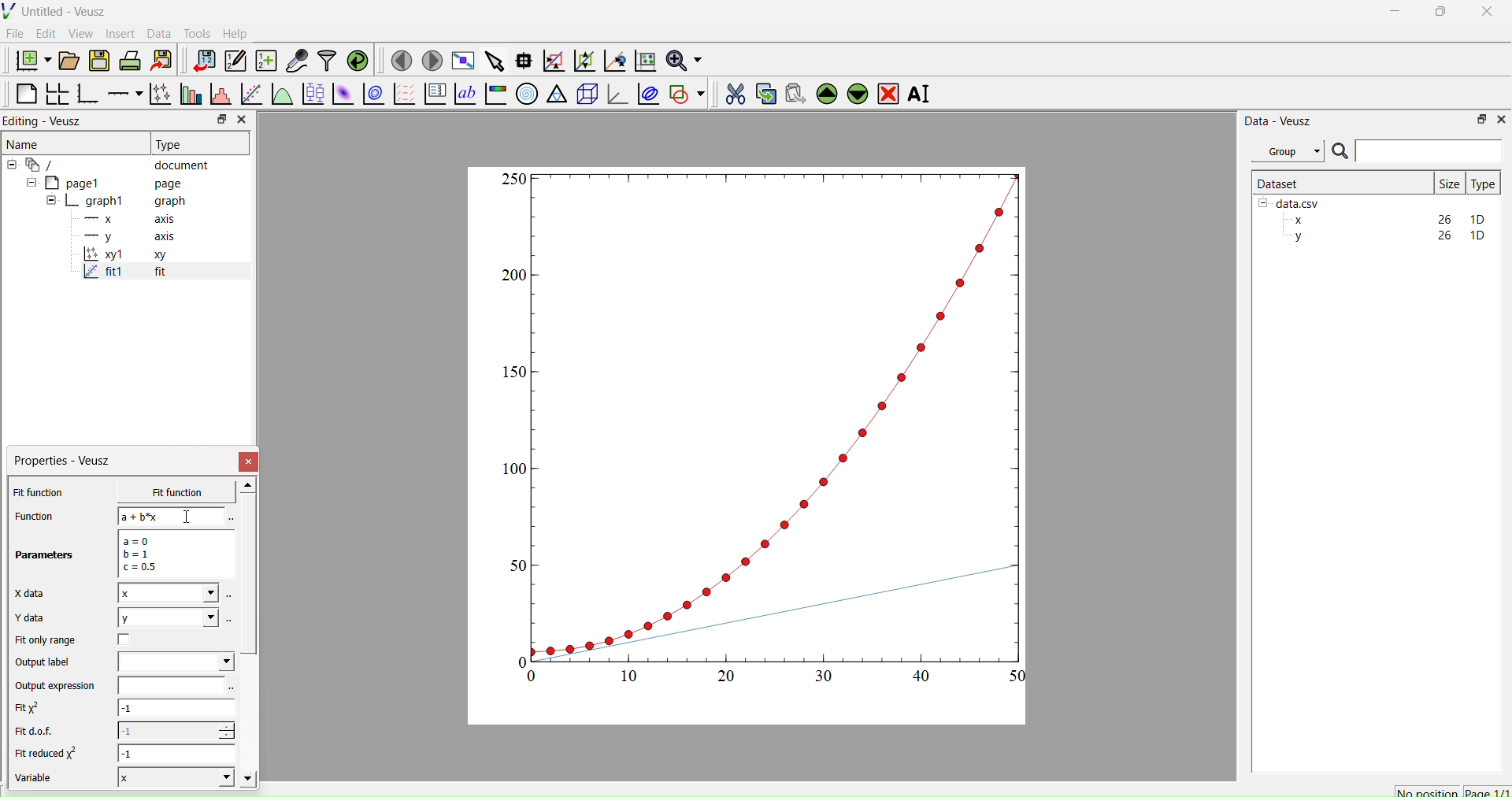 Image resolution: width=1512 pixels, height=797 pixels. Describe the element at coordinates (39, 618) in the screenshot. I see `Y data` at that location.